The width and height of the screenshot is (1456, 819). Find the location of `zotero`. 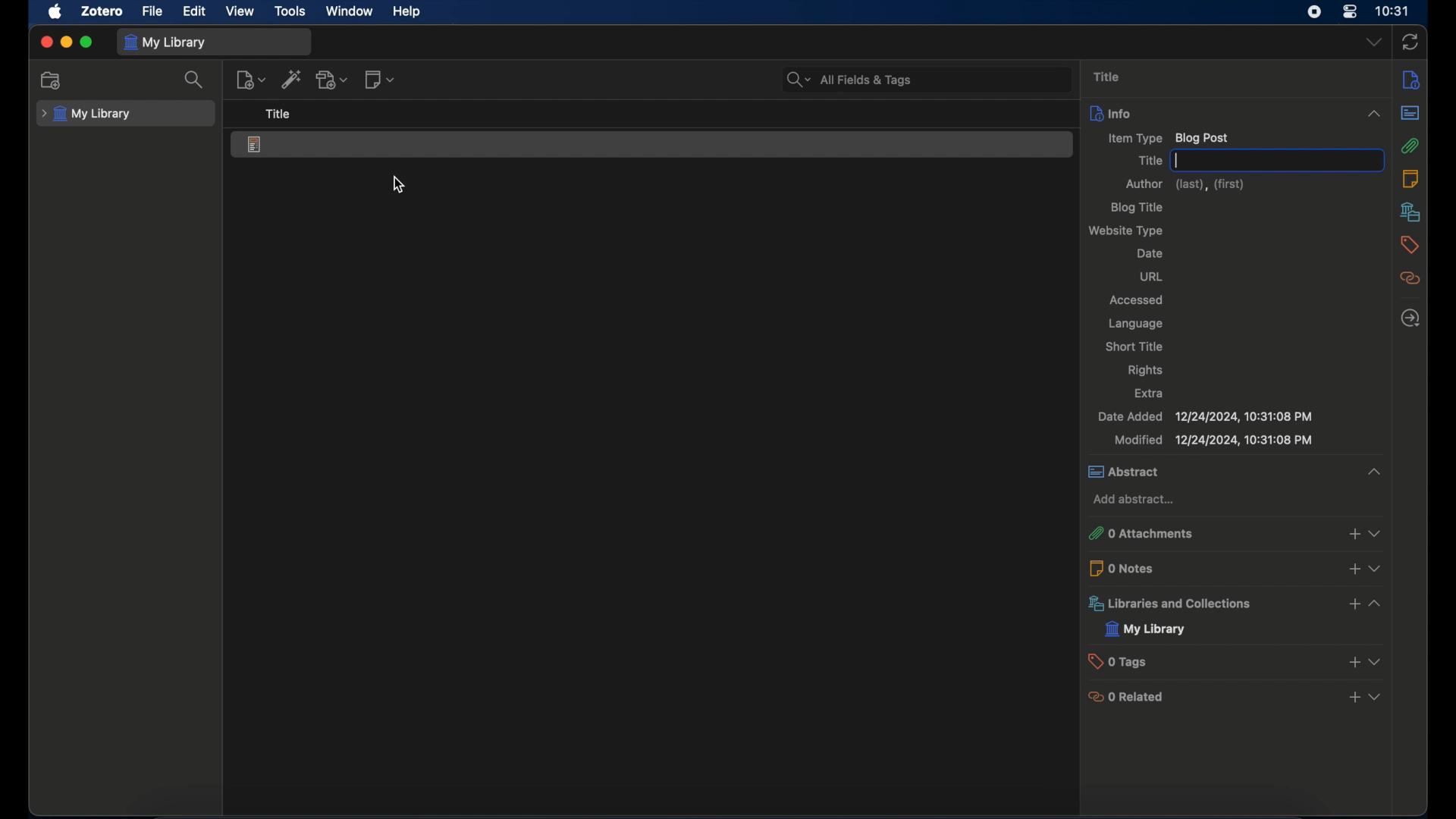

zotero is located at coordinates (102, 11).